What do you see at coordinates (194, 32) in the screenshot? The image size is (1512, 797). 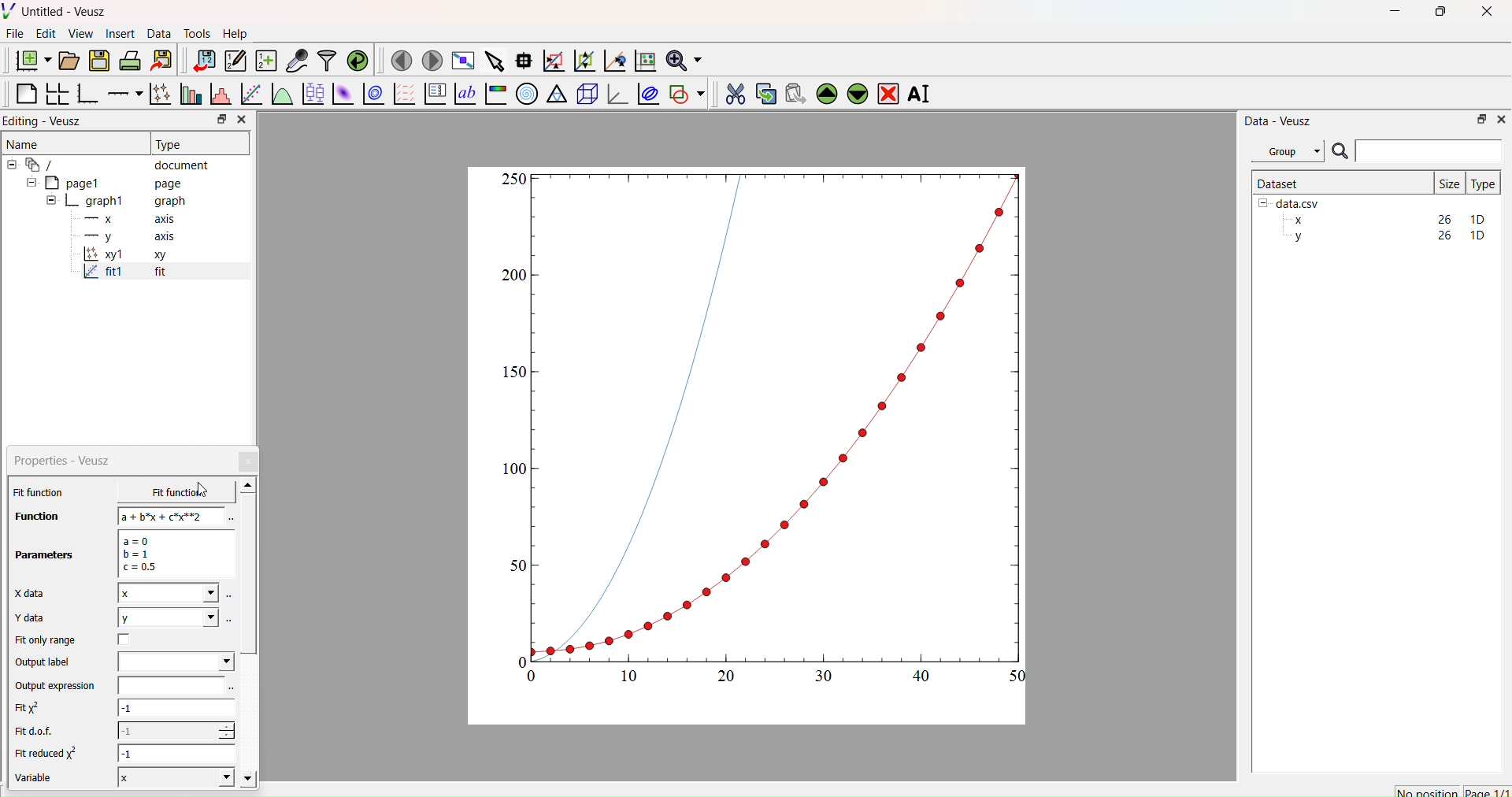 I see `Tools` at bounding box center [194, 32].